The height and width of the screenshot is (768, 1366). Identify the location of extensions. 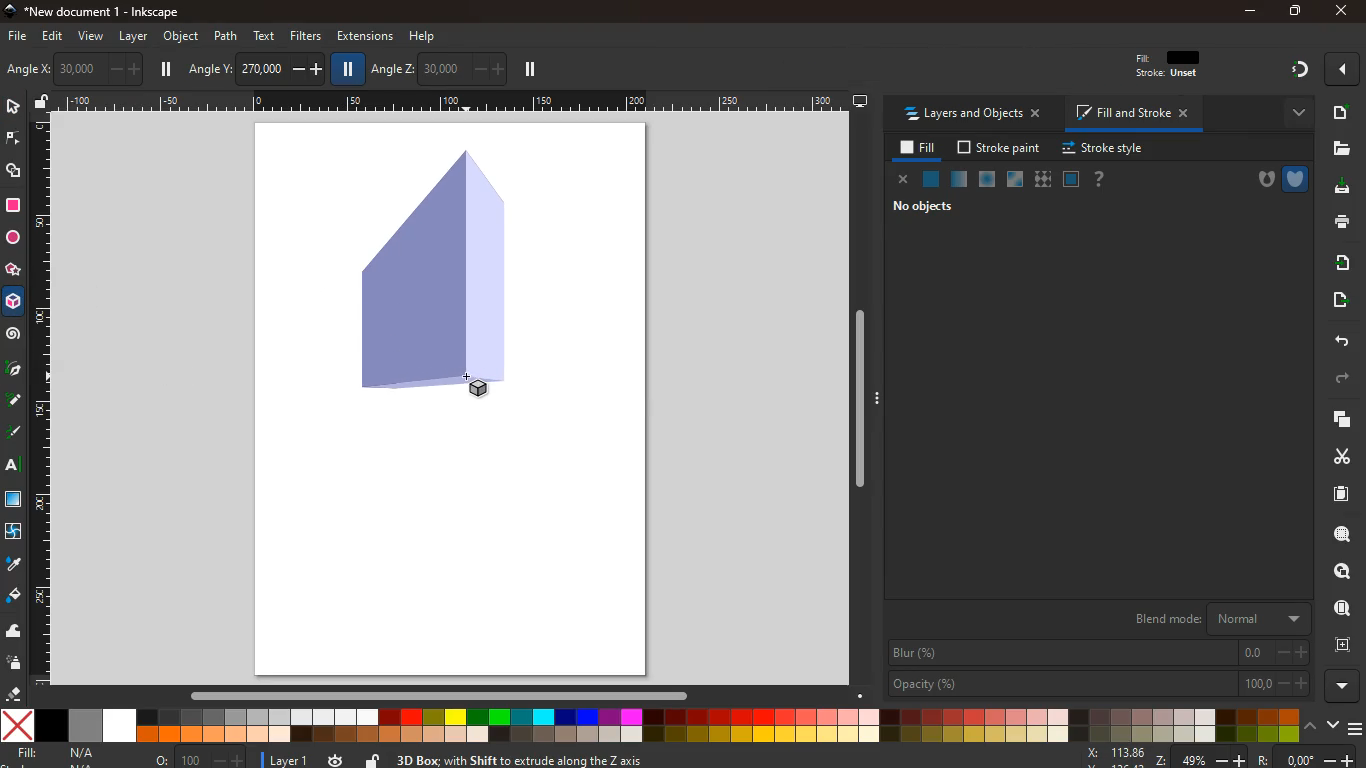
(364, 36).